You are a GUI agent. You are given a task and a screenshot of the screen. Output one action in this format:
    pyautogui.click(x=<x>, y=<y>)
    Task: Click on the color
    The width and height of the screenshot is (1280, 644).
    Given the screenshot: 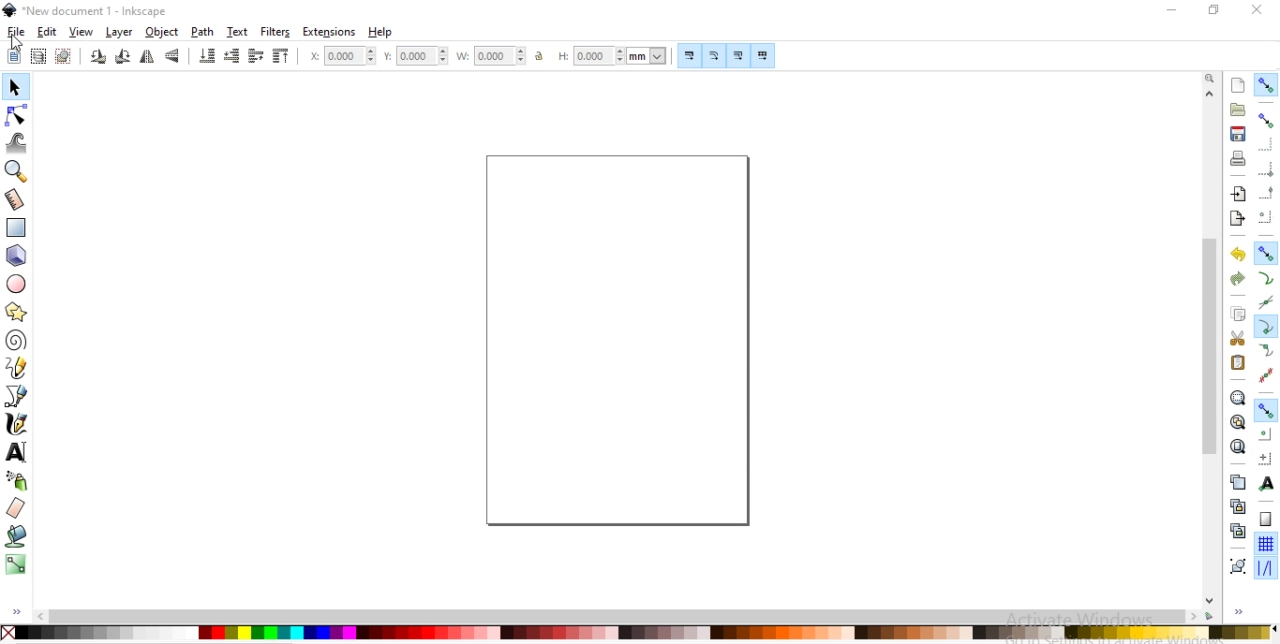 What is the action you would take?
    pyautogui.click(x=638, y=632)
    